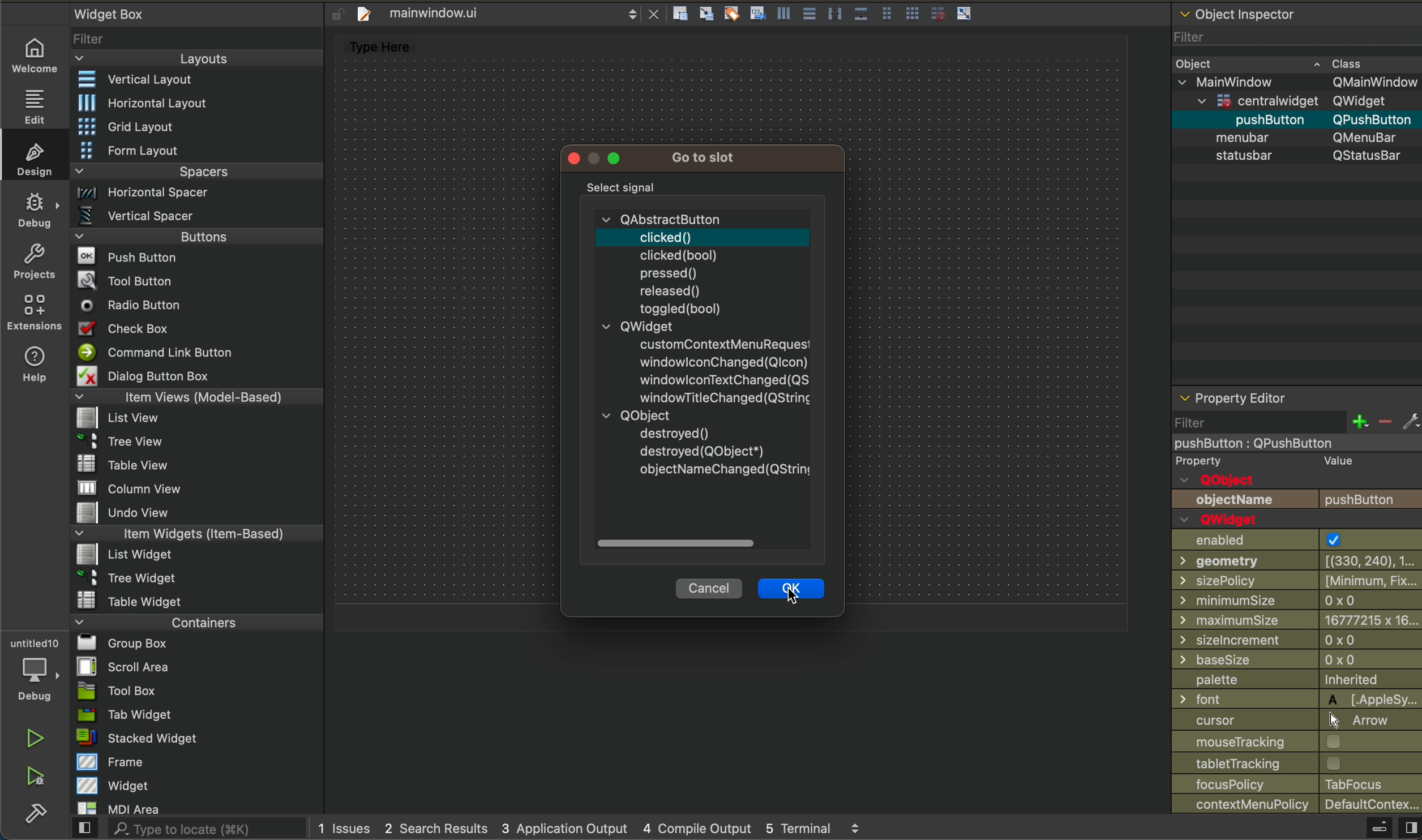  Describe the element at coordinates (1296, 784) in the screenshot. I see `focus` at that location.